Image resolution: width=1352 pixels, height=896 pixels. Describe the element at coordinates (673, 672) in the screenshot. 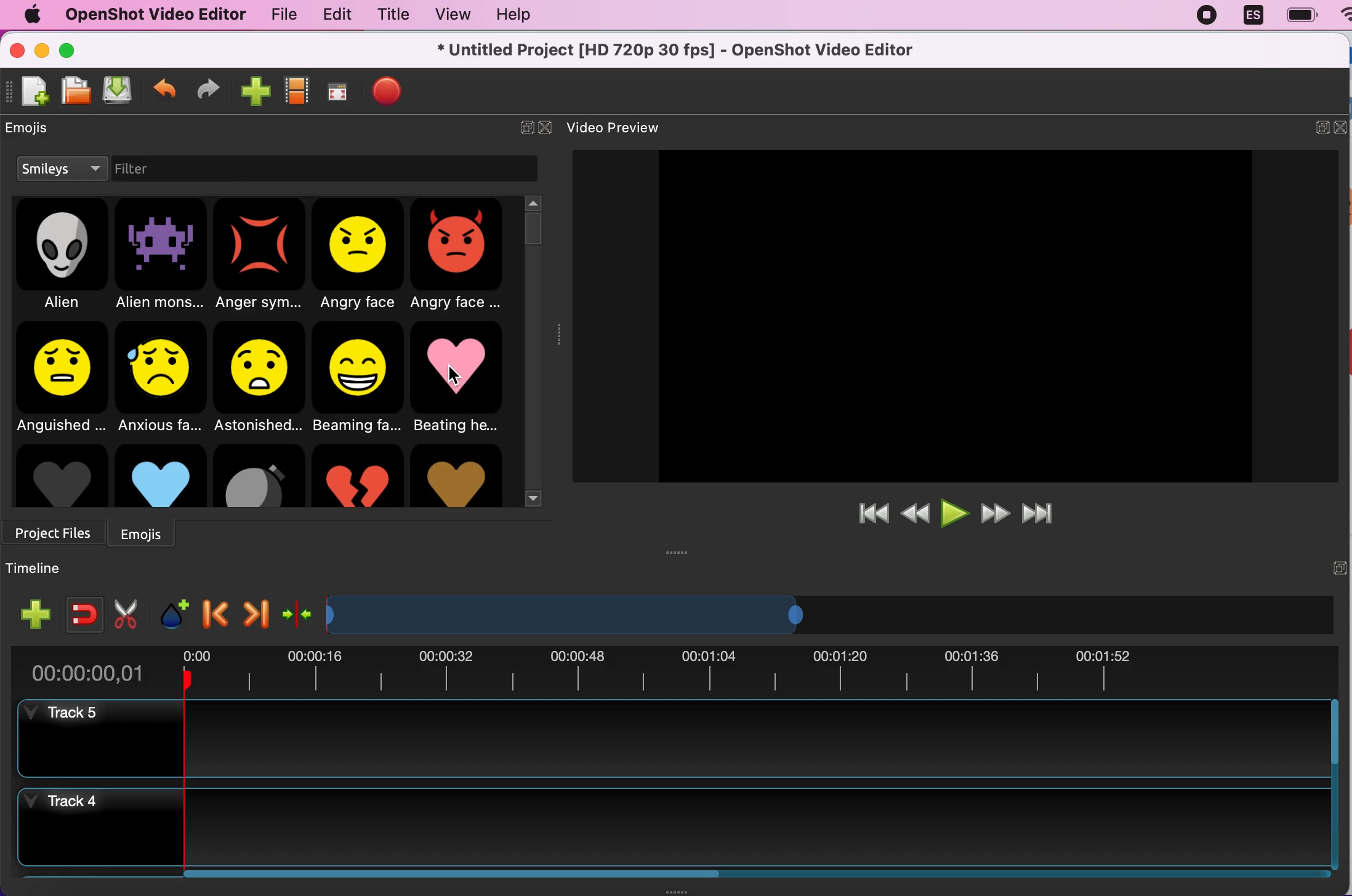

I see `time duration` at that location.